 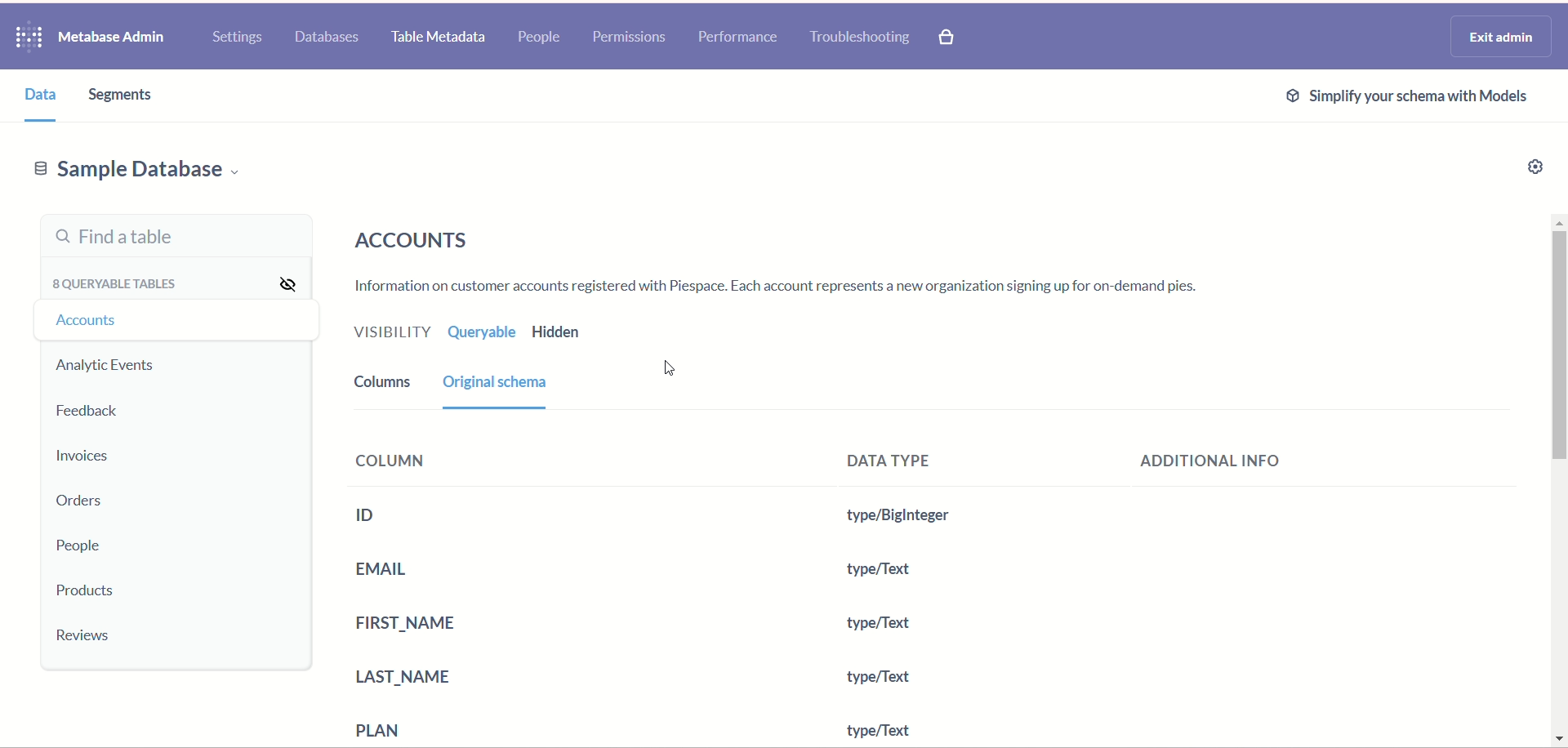 I want to click on eedback, so click(x=95, y=413).